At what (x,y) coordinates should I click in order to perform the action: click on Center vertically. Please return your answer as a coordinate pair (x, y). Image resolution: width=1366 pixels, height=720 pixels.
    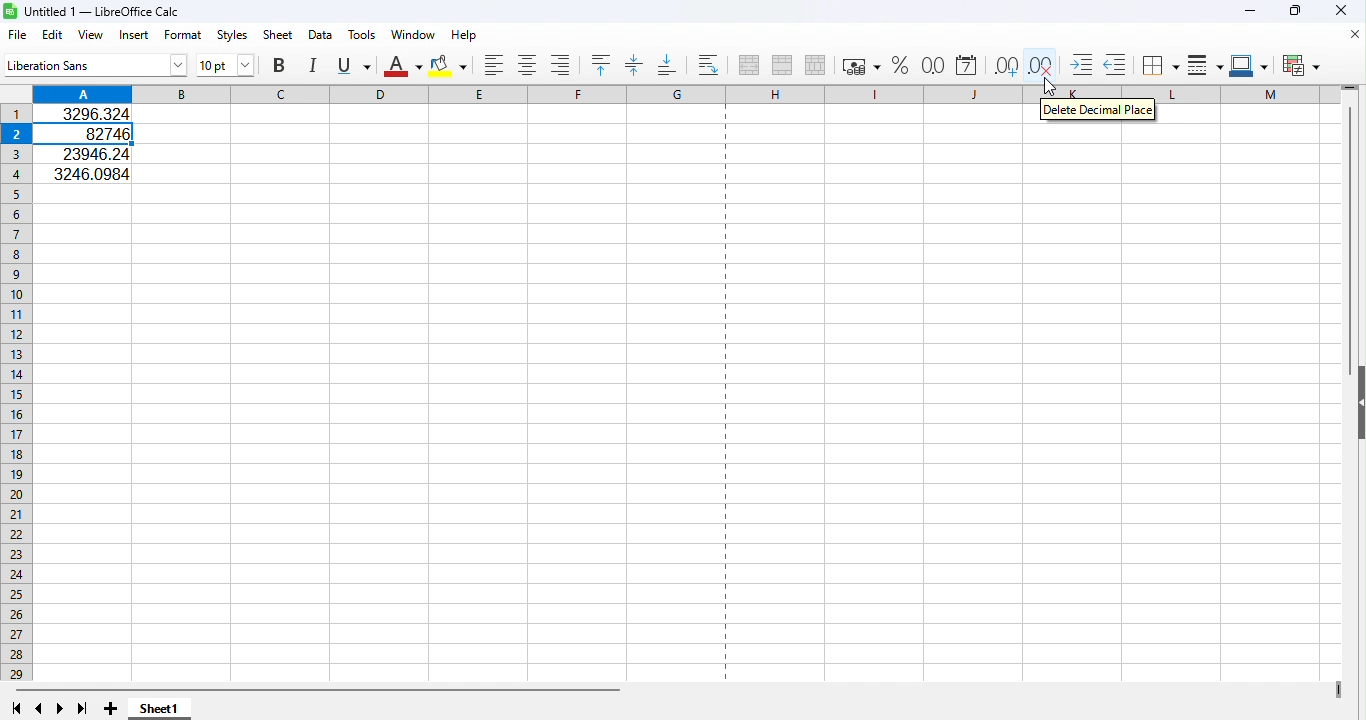
    Looking at the image, I should click on (634, 62).